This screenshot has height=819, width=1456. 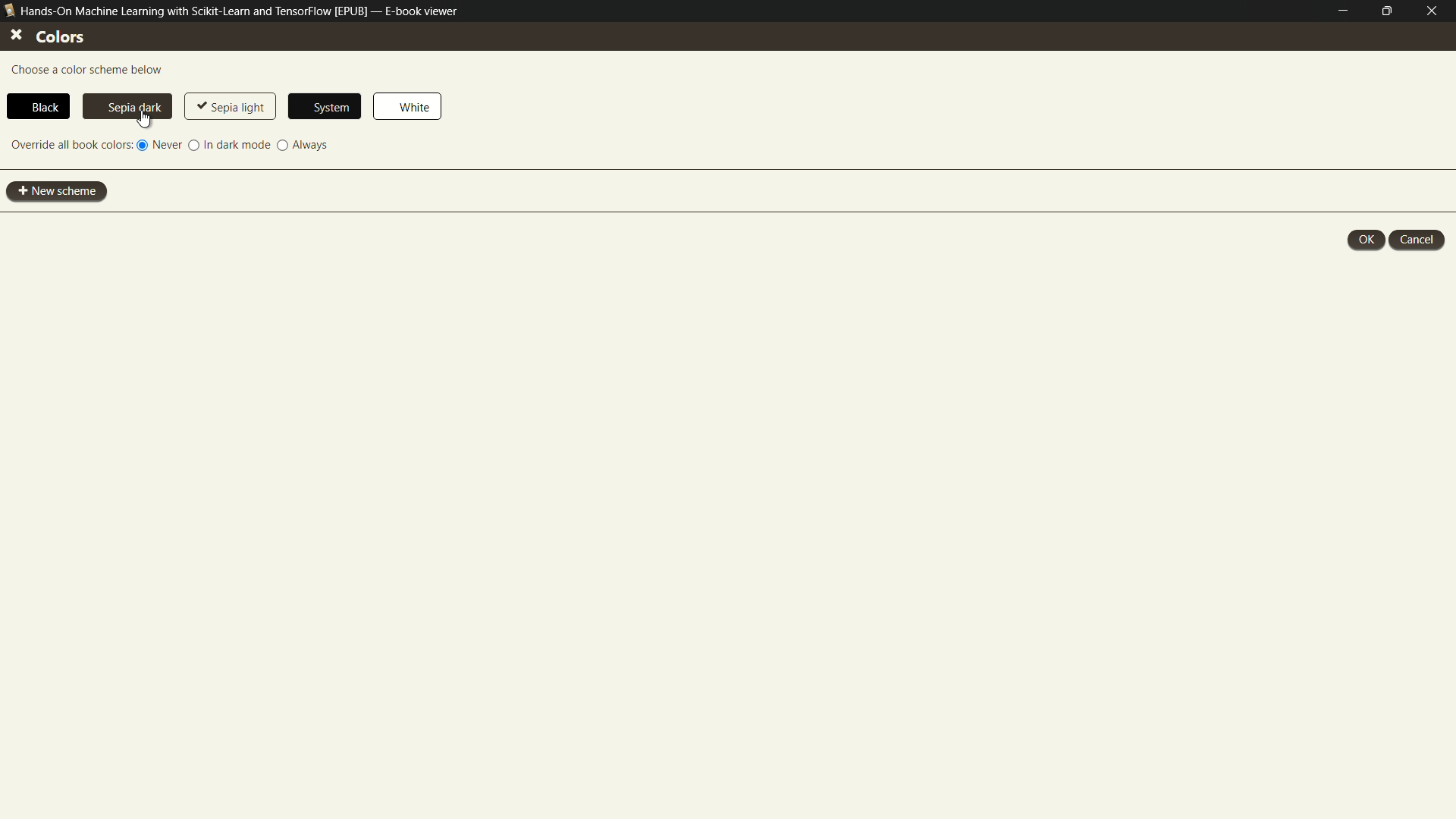 What do you see at coordinates (324, 106) in the screenshot?
I see `system` at bounding box center [324, 106].